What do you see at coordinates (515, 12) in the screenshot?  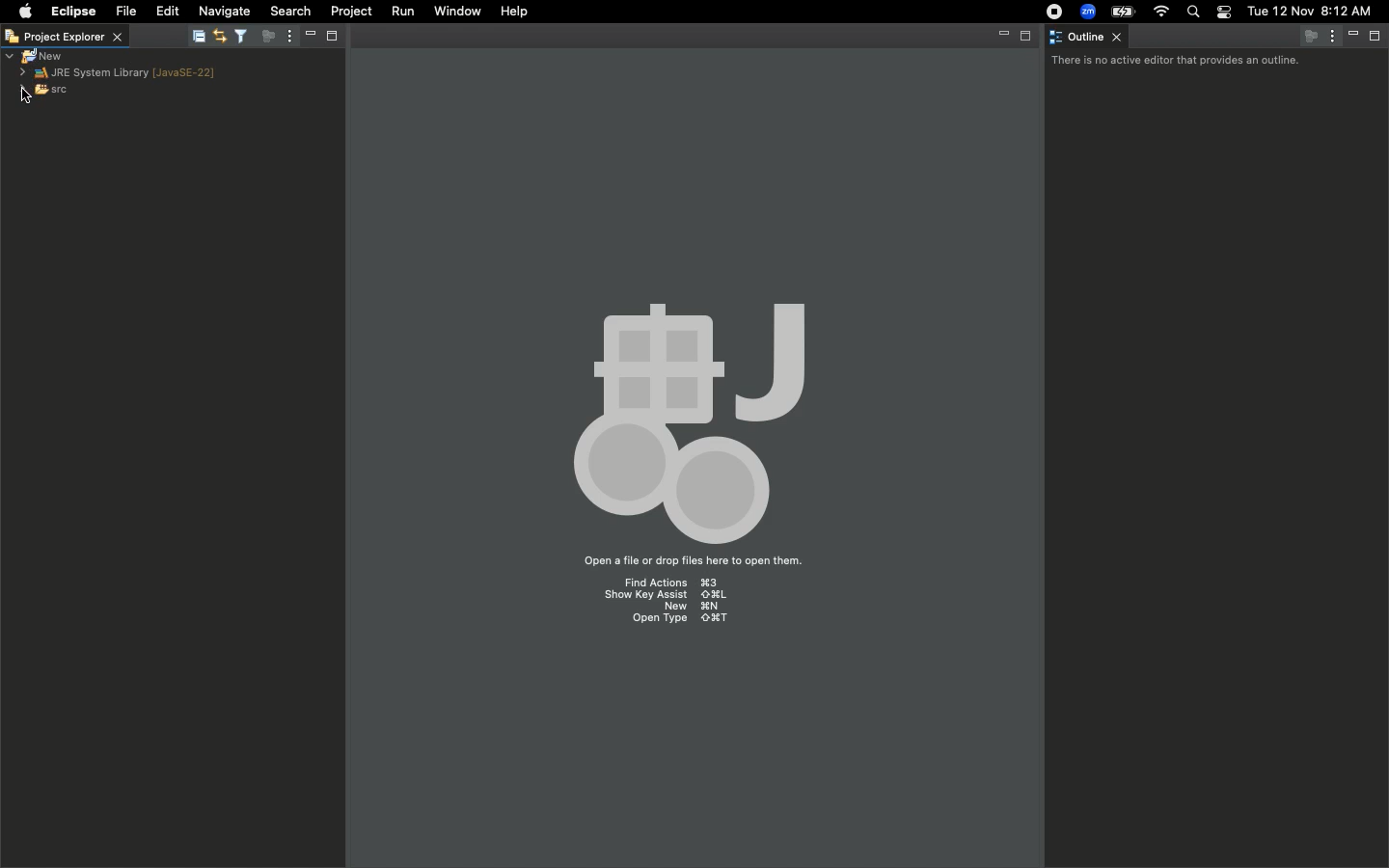 I see `Help` at bounding box center [515, 12].